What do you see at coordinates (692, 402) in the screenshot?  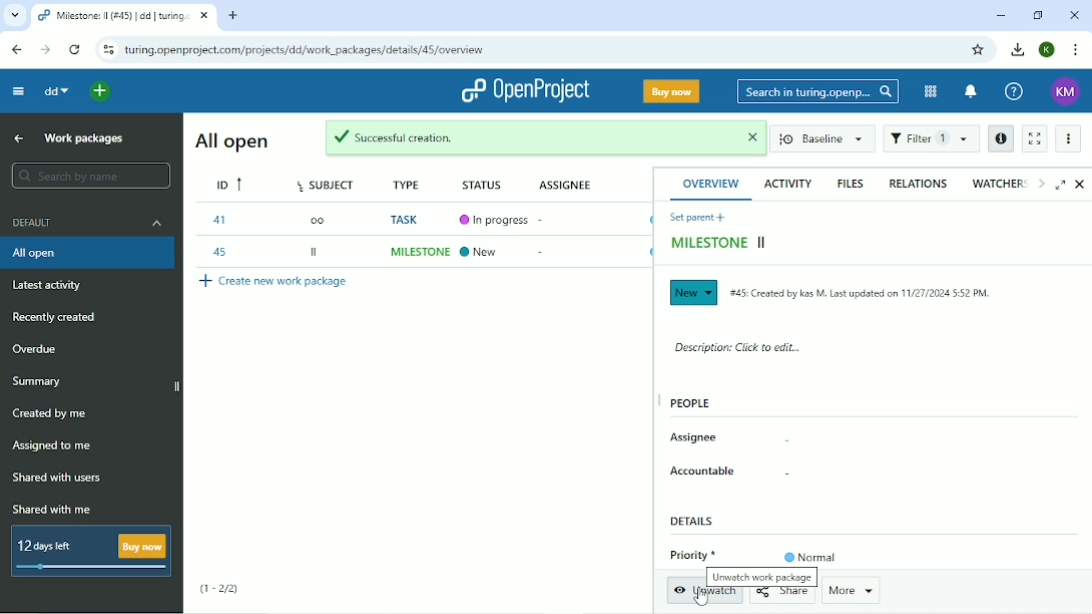 I see `People` at bounding box center [692, 402].